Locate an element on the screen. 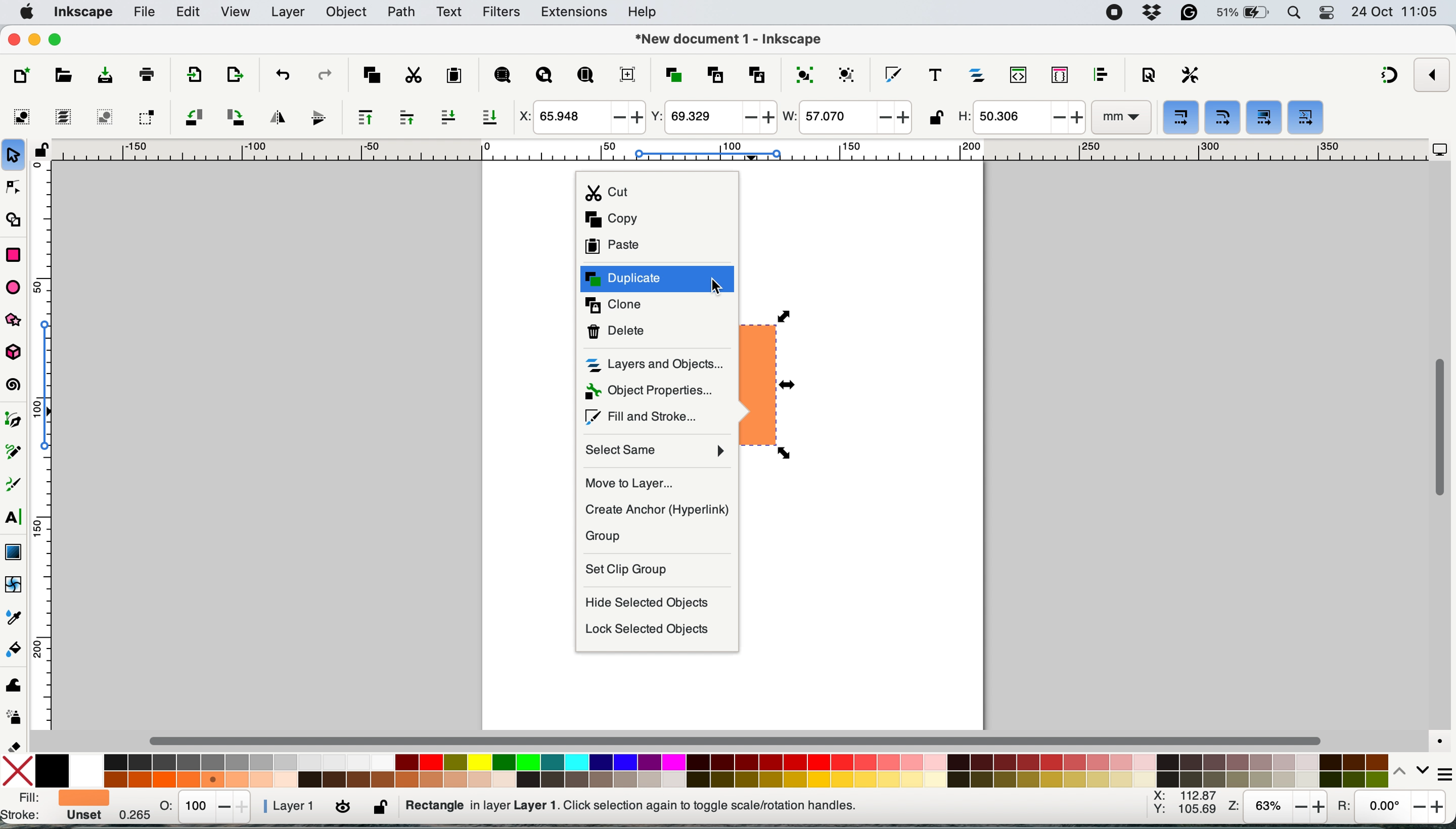  perferences is located at coordinates (1191, 75).